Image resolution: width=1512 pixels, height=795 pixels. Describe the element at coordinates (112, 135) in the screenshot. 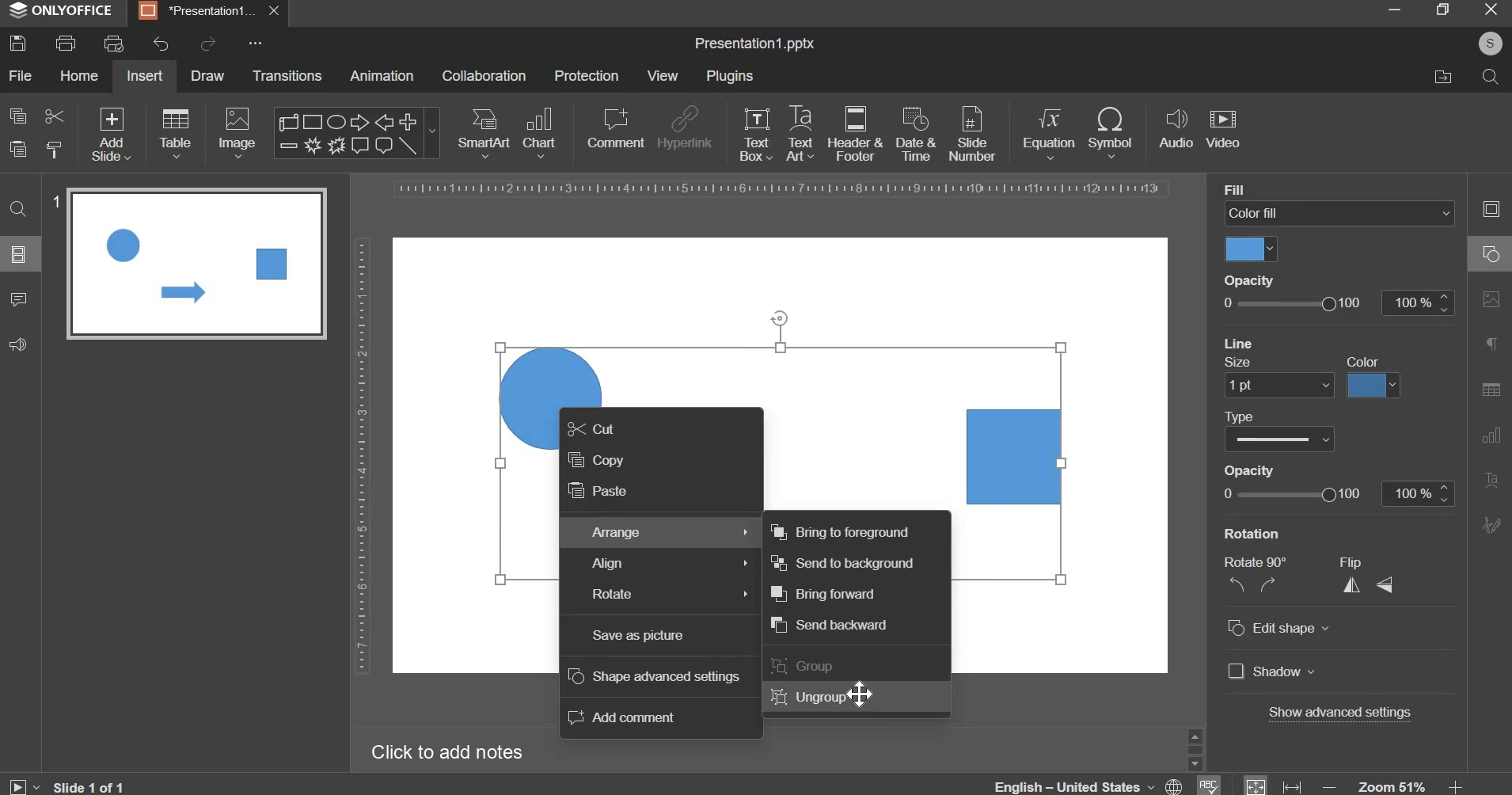

I see `add slide` at that location.